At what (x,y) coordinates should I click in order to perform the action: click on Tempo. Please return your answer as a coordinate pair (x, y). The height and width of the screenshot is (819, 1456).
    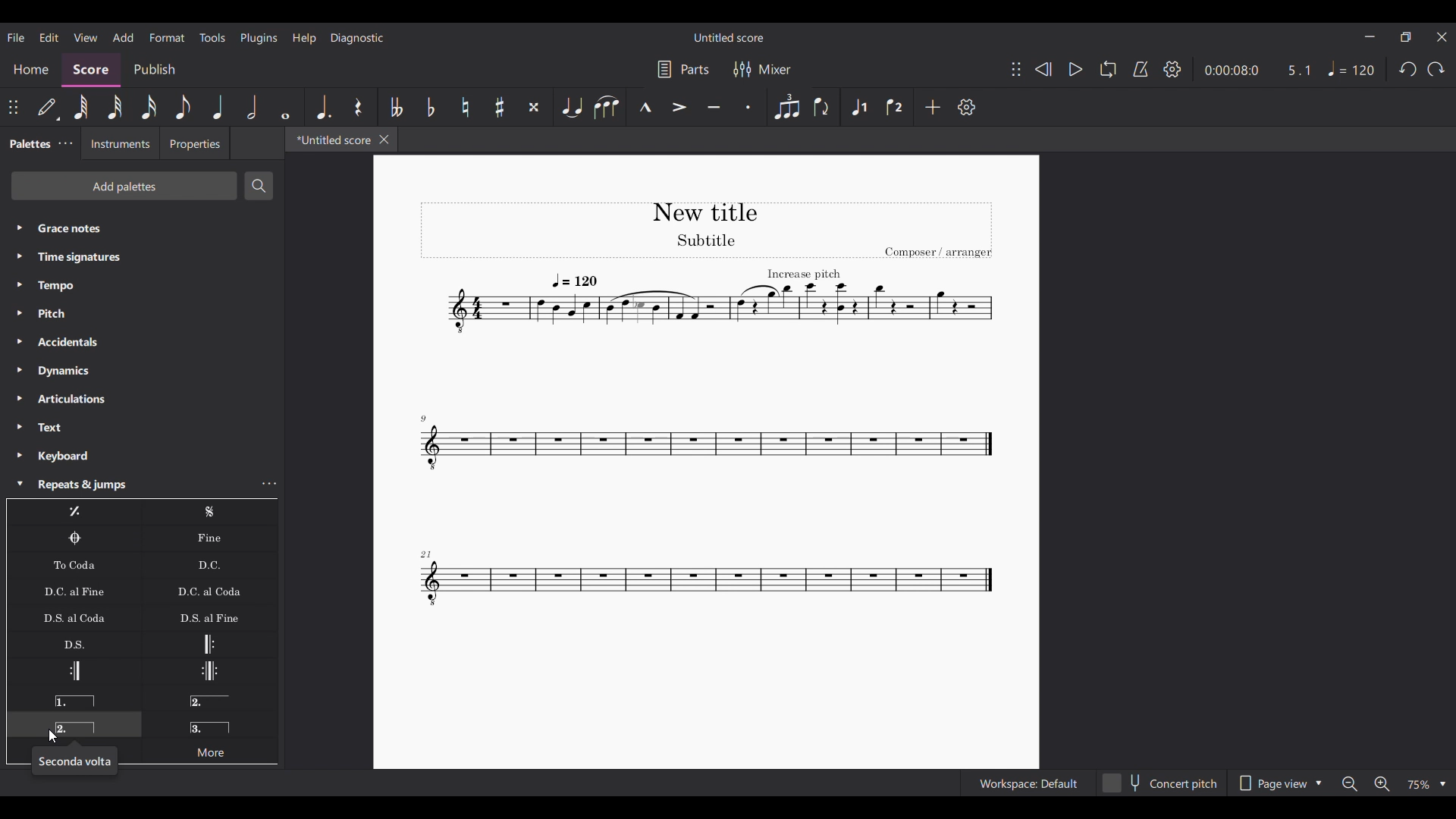
    Looking at the image, I should click on (142, 286).